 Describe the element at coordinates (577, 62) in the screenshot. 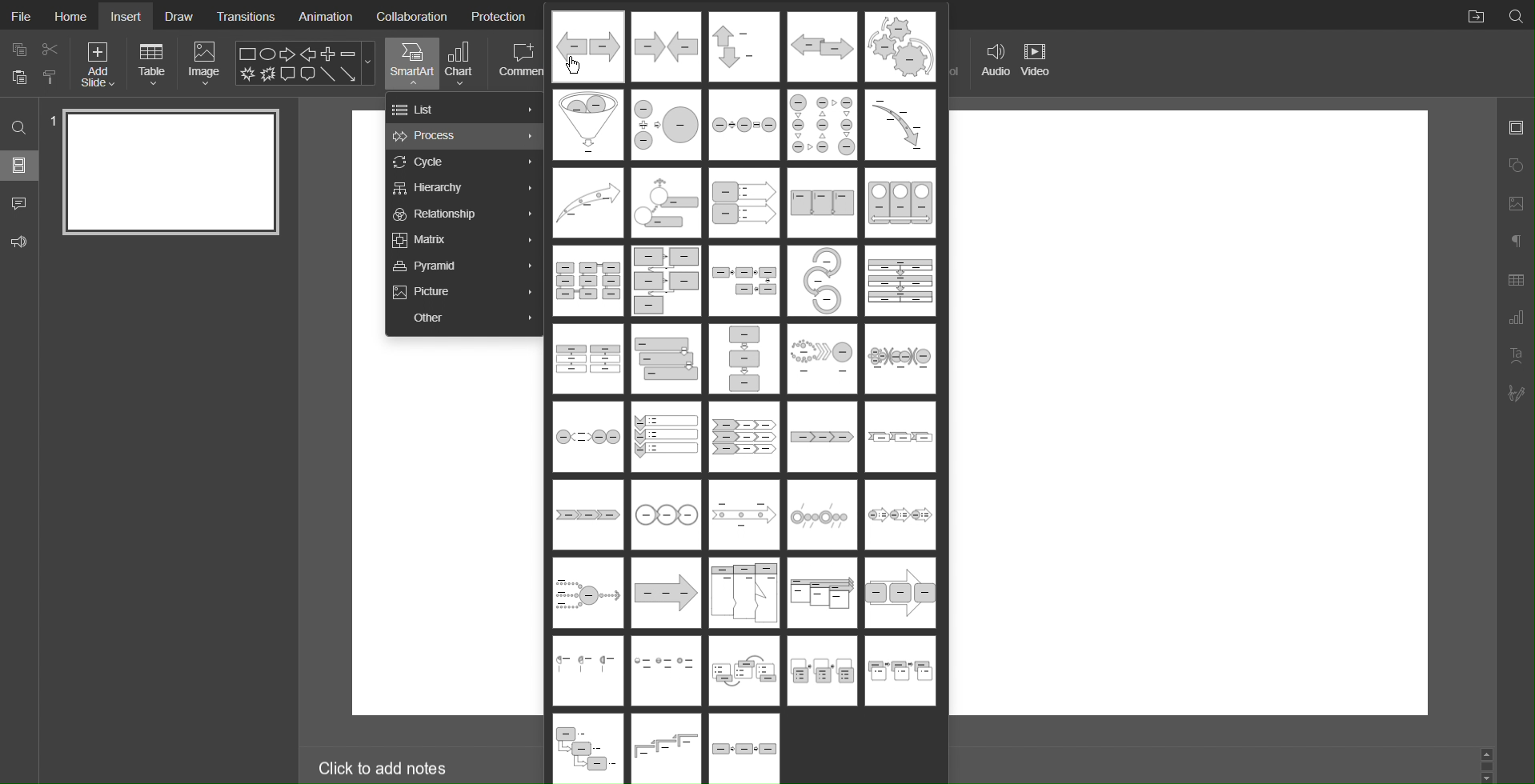

I see `Cursor` at that location.